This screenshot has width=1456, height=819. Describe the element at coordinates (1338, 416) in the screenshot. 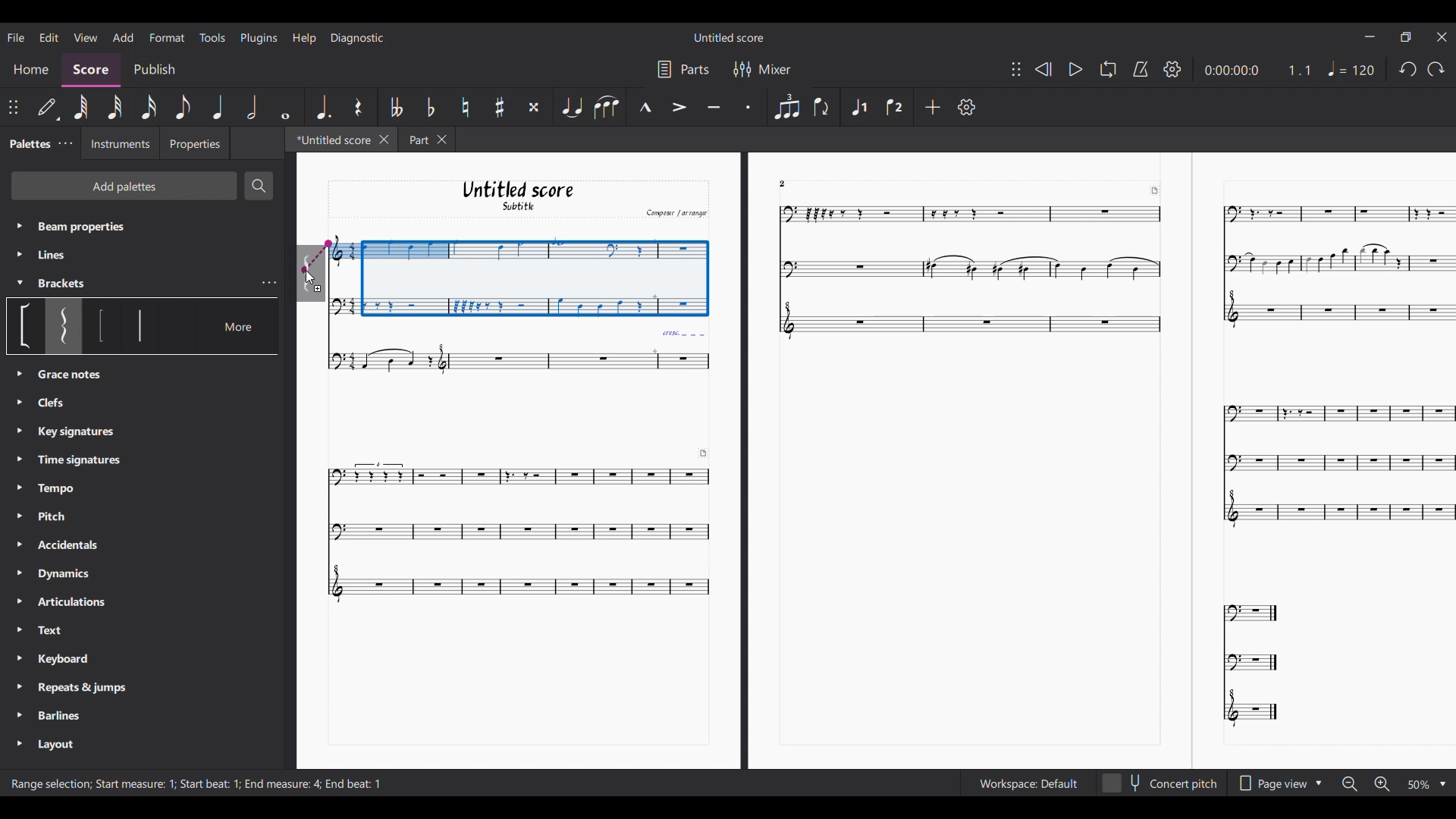

I see `` at that location.